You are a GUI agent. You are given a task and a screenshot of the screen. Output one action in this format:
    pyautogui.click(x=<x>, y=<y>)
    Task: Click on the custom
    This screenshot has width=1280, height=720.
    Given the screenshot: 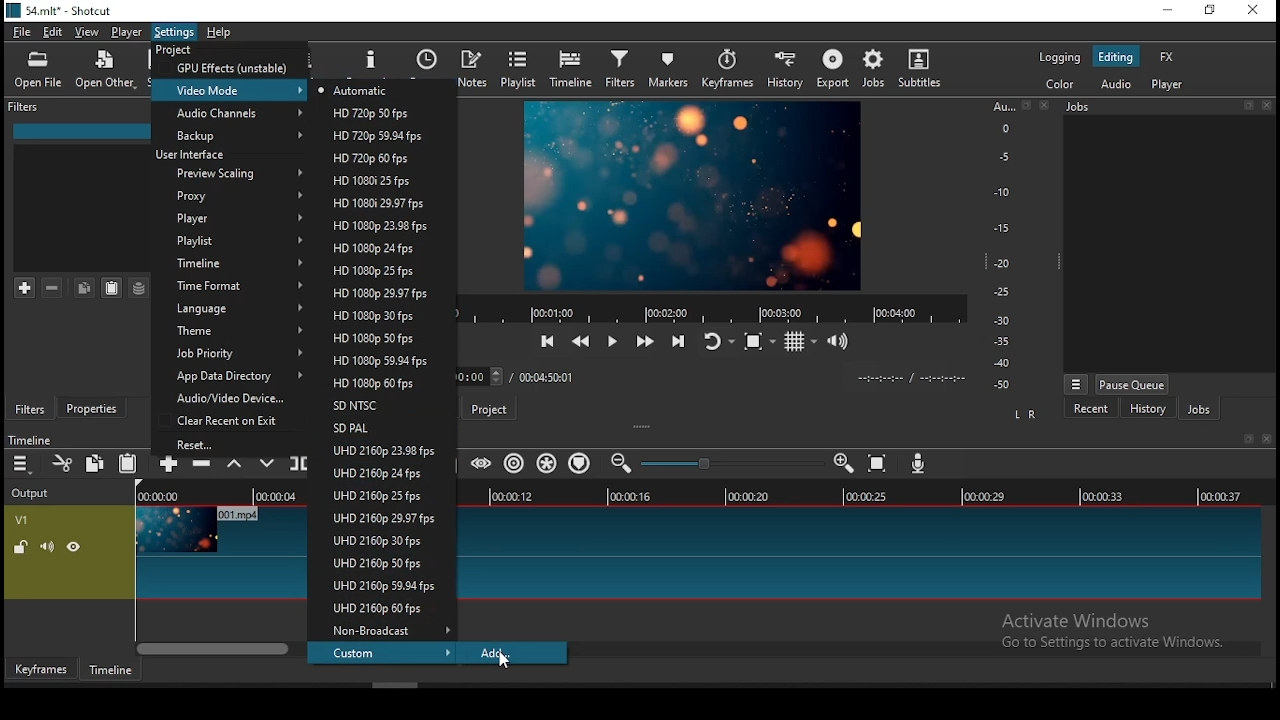 What is the action you would take?
    pyautogui.click(x=385, y=653)
    